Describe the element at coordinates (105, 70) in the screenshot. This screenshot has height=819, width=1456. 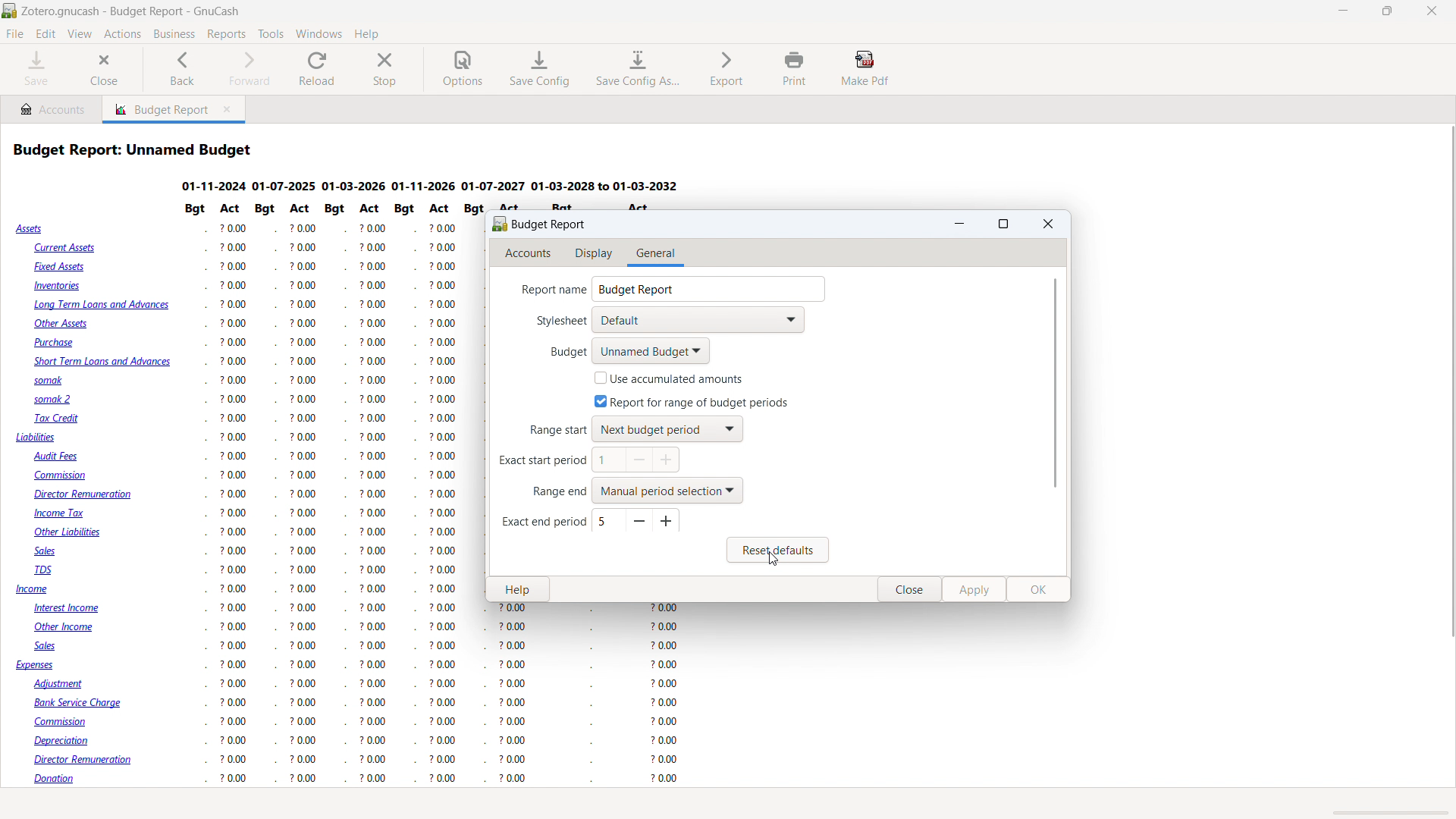
I see `close` at that location.